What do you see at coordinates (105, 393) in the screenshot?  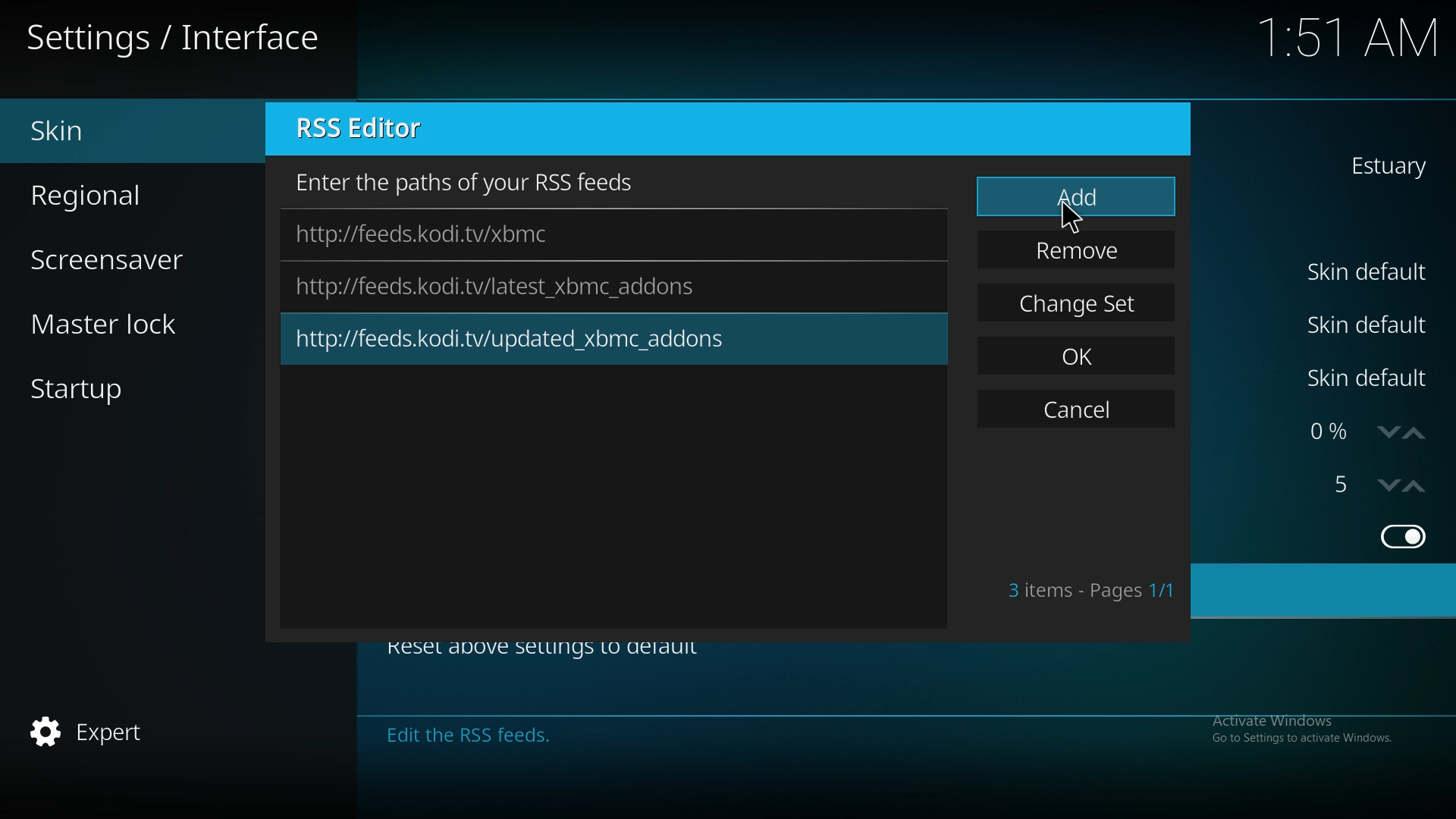 I see `startup` at bounding box center [105, 393].